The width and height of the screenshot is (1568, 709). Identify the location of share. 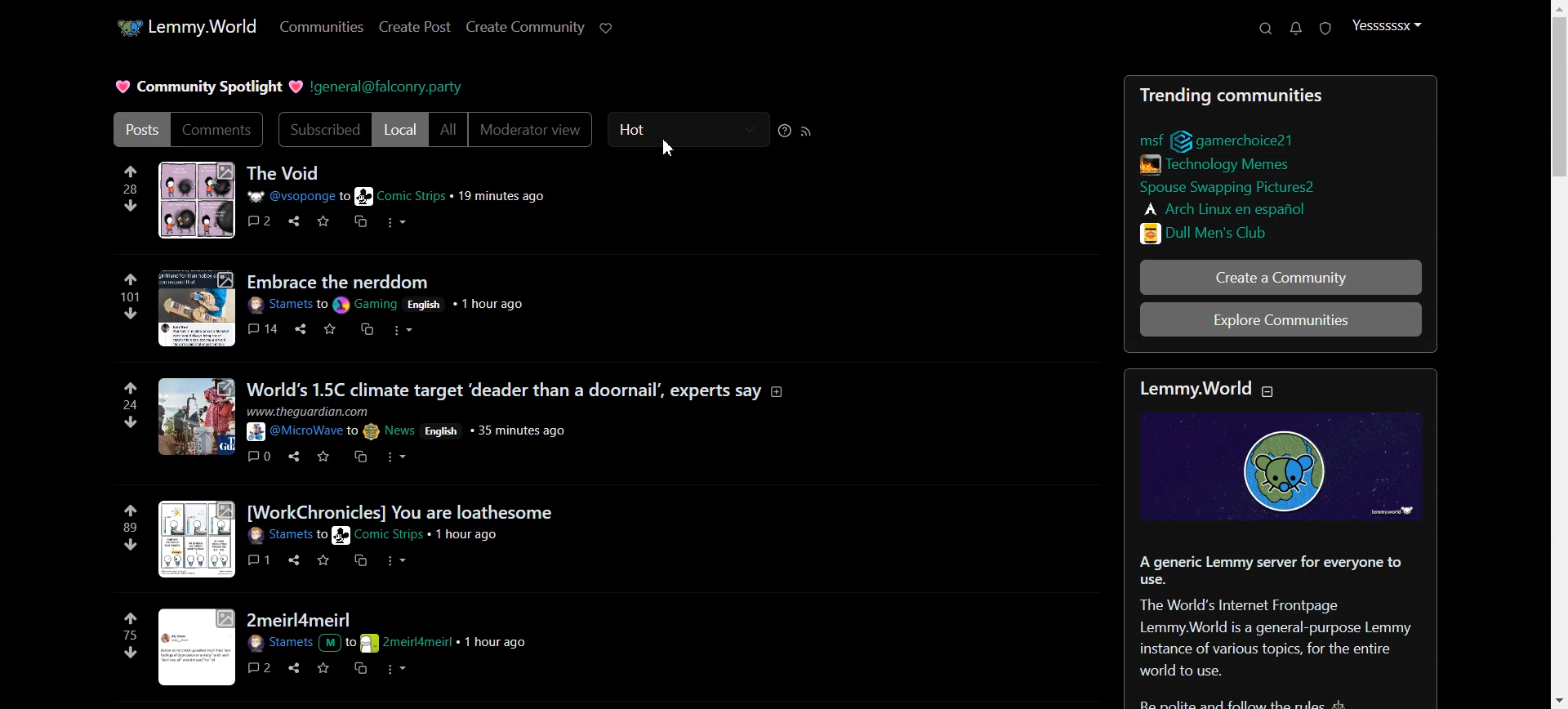
(294, 559).